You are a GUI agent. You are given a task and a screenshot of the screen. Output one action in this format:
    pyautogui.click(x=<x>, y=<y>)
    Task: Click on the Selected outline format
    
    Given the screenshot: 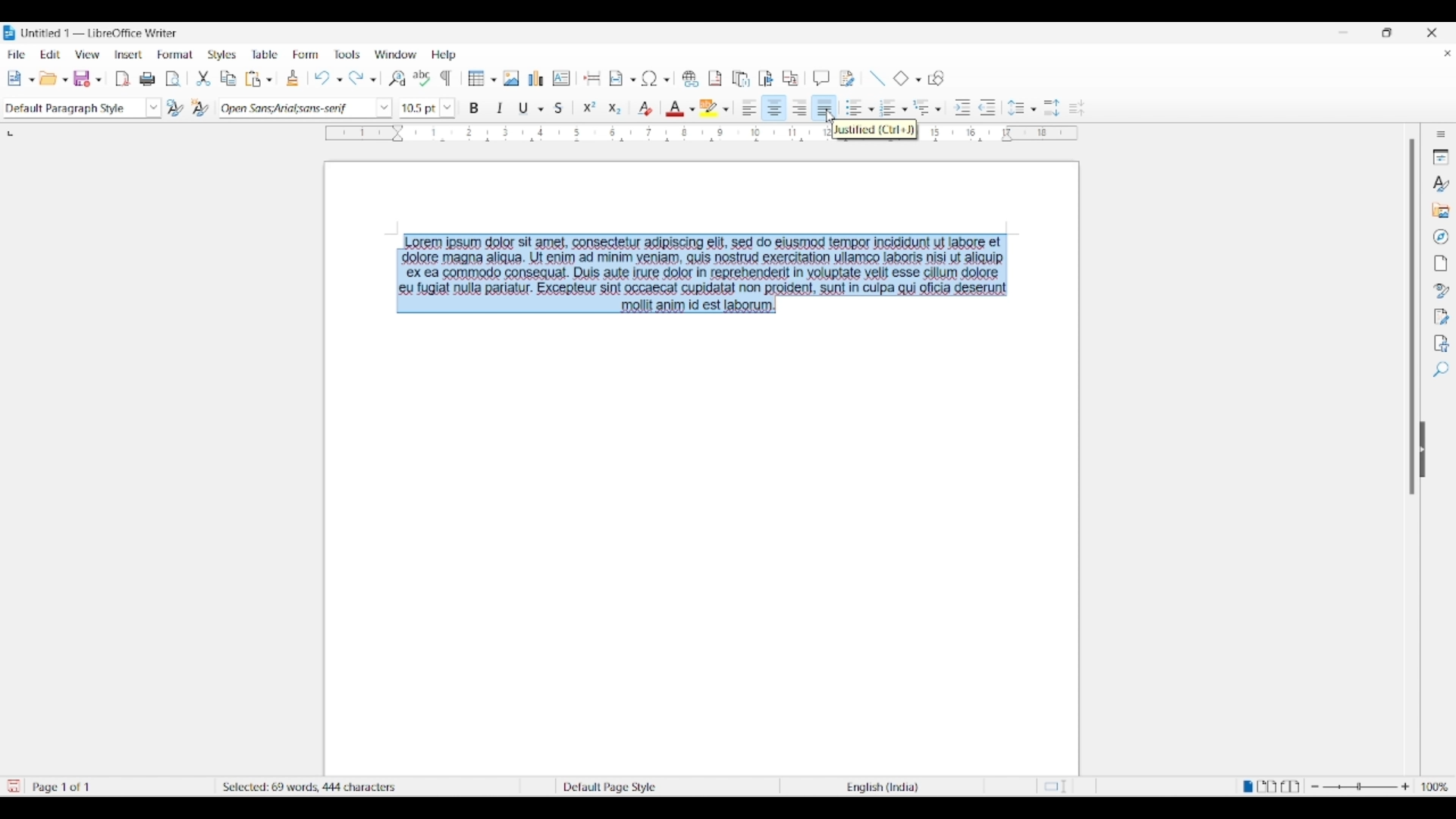 What is the action you would take?
    pyautogui.click(x=921, y=107)
    